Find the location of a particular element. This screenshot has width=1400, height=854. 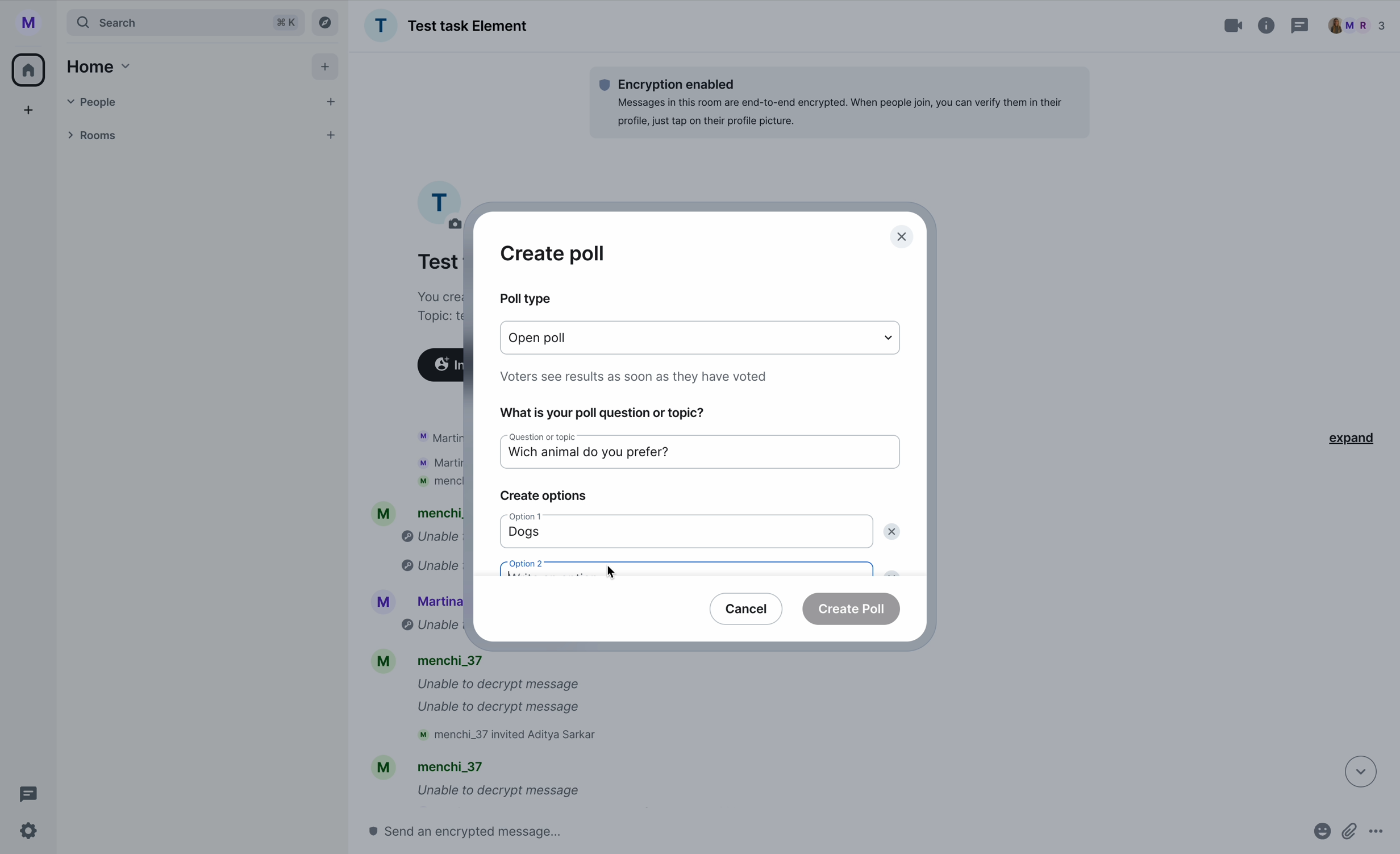

information is located at coordinates (1267, 23).